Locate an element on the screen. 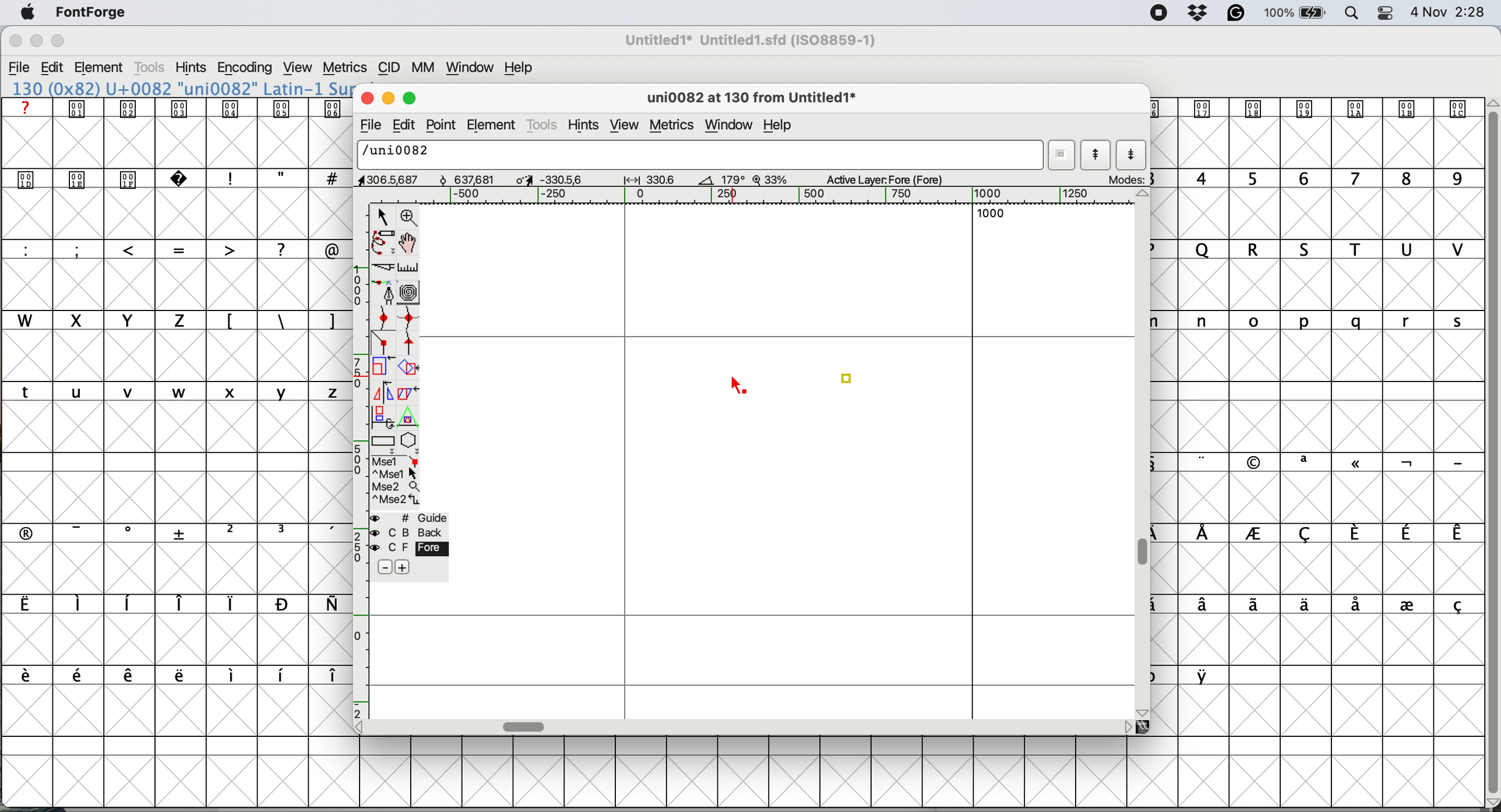 The height and width of the screenshot is (812, 1501). add a tangent point is located at coordinates (410, 343).